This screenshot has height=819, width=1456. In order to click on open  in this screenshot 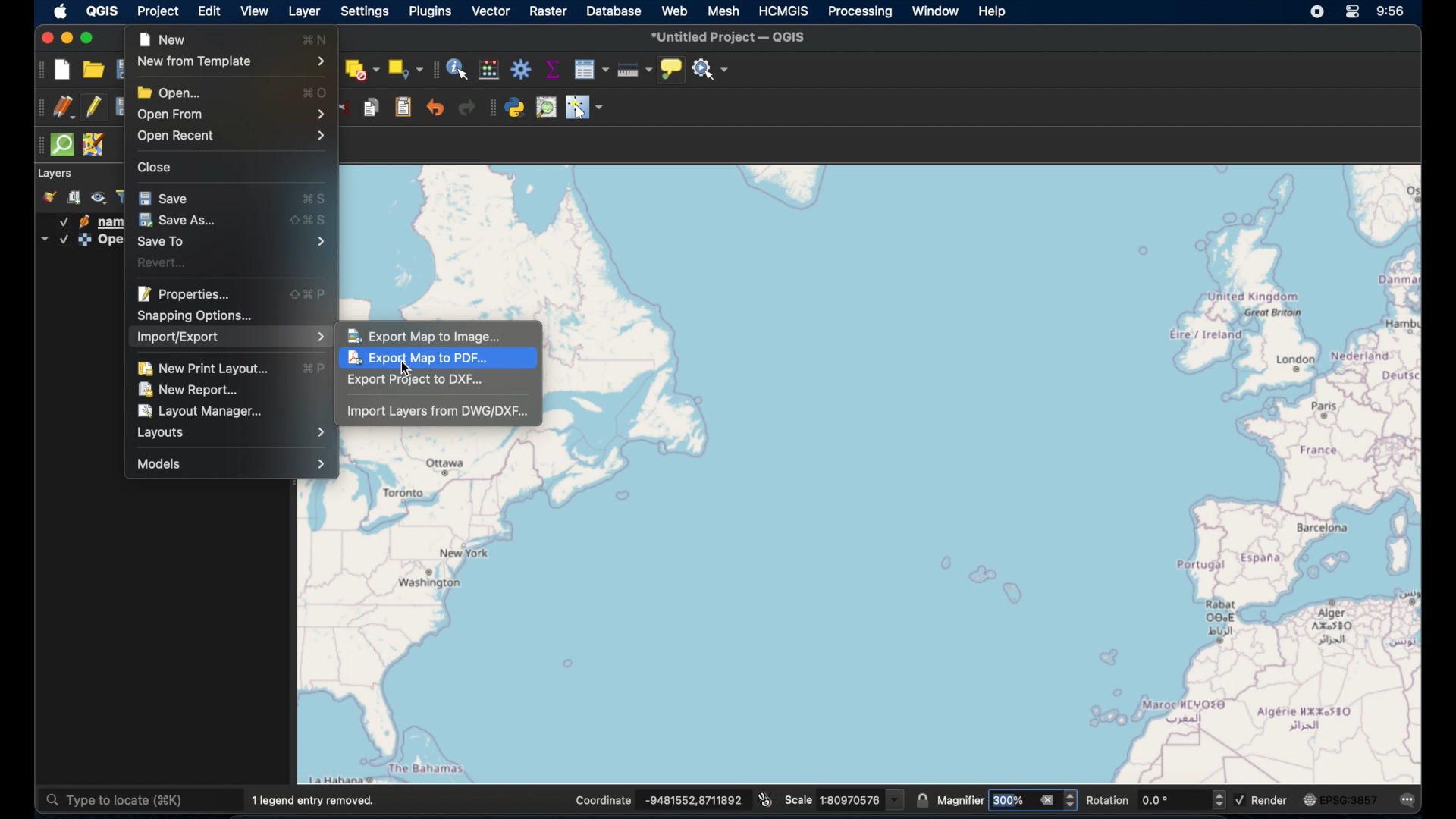, I will do `click(168, 91)`.